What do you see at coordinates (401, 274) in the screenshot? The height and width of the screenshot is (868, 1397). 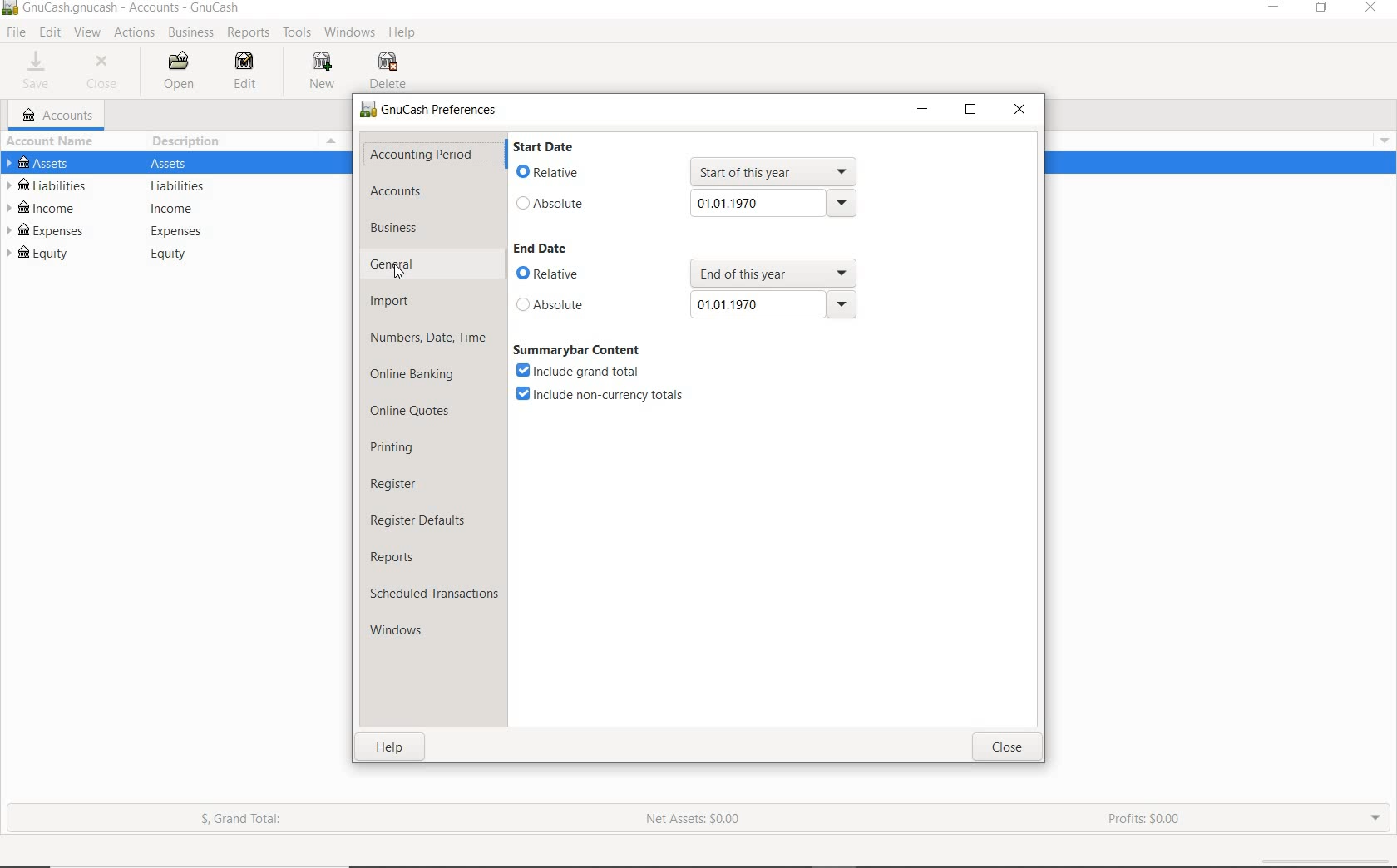 I see `Cursor` at bounding box center [401, 274].